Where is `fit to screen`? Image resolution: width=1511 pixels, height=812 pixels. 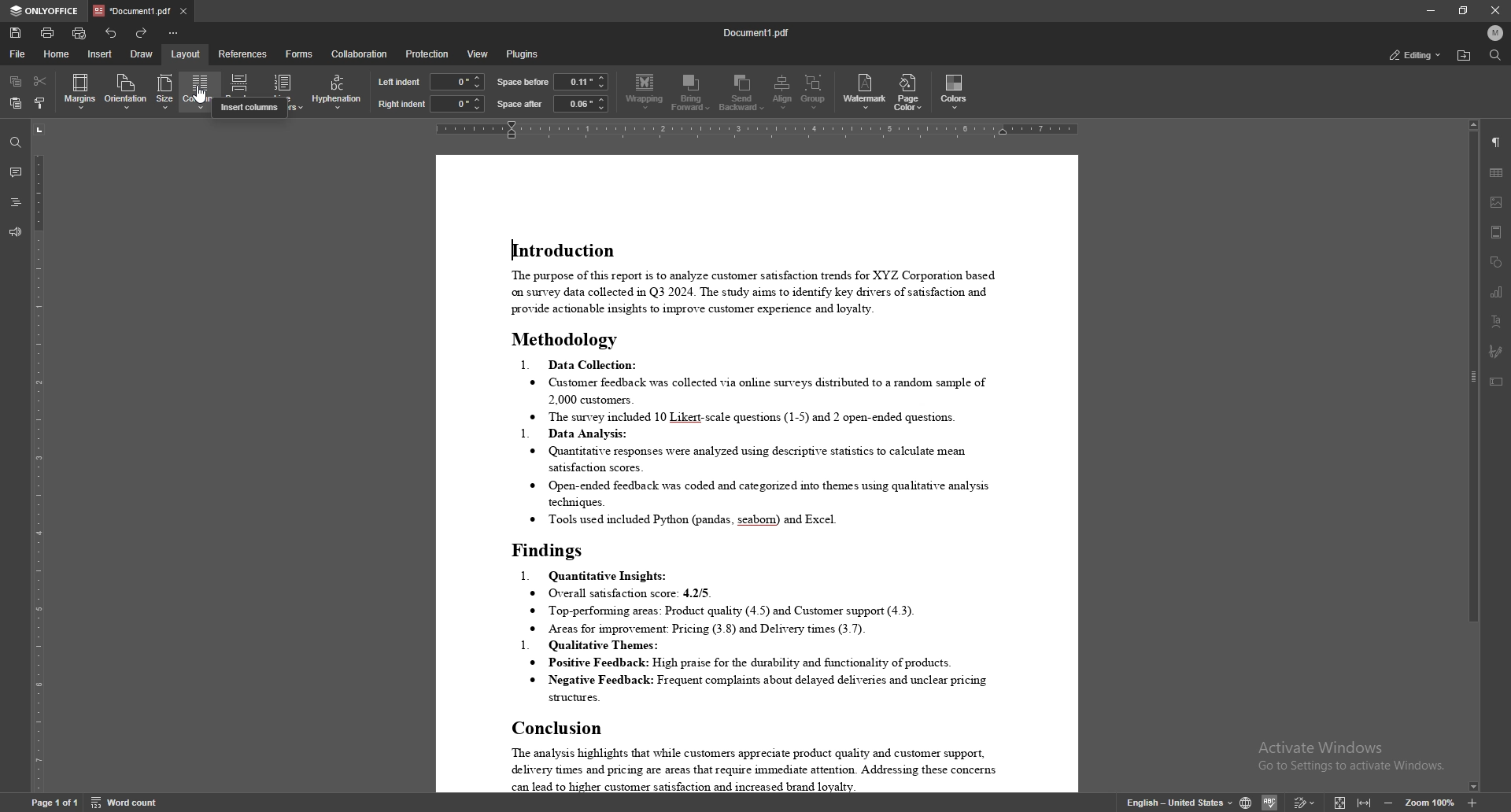 fit to screen is located at coordinates (1339, 802).